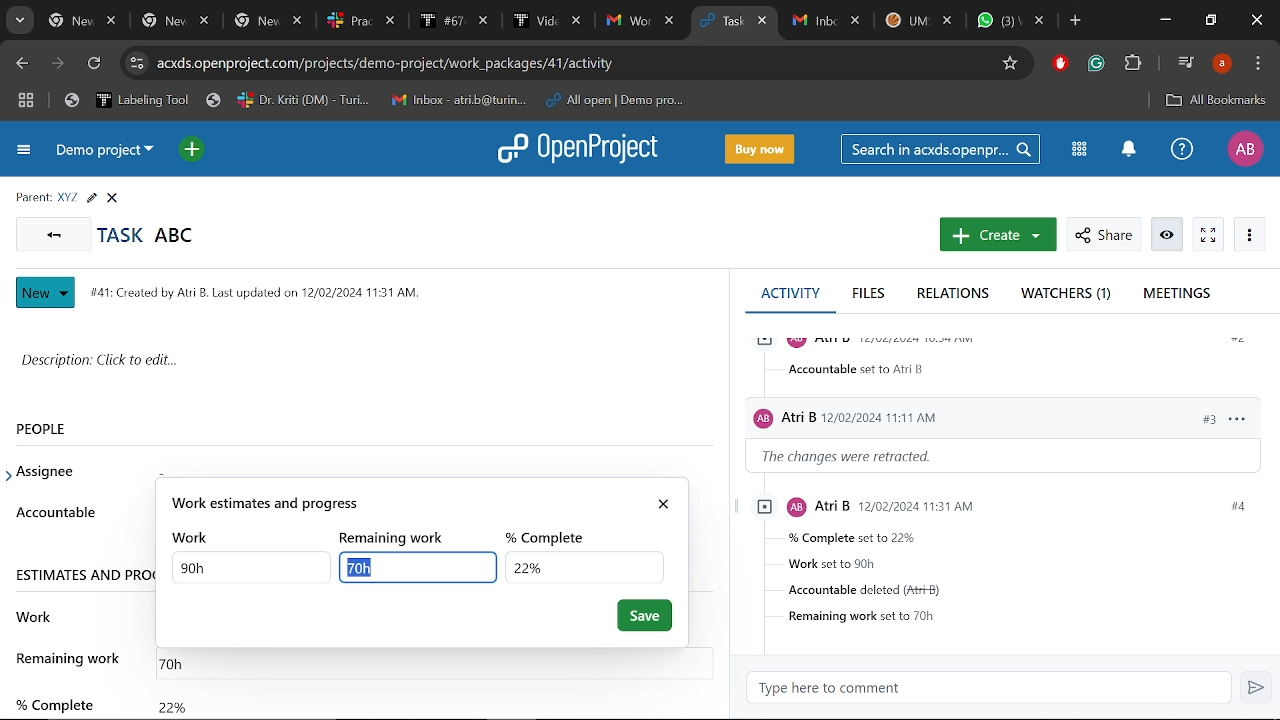 This screenshot has height=720, width=1280. I want to click on Close, so click(1254, 21).